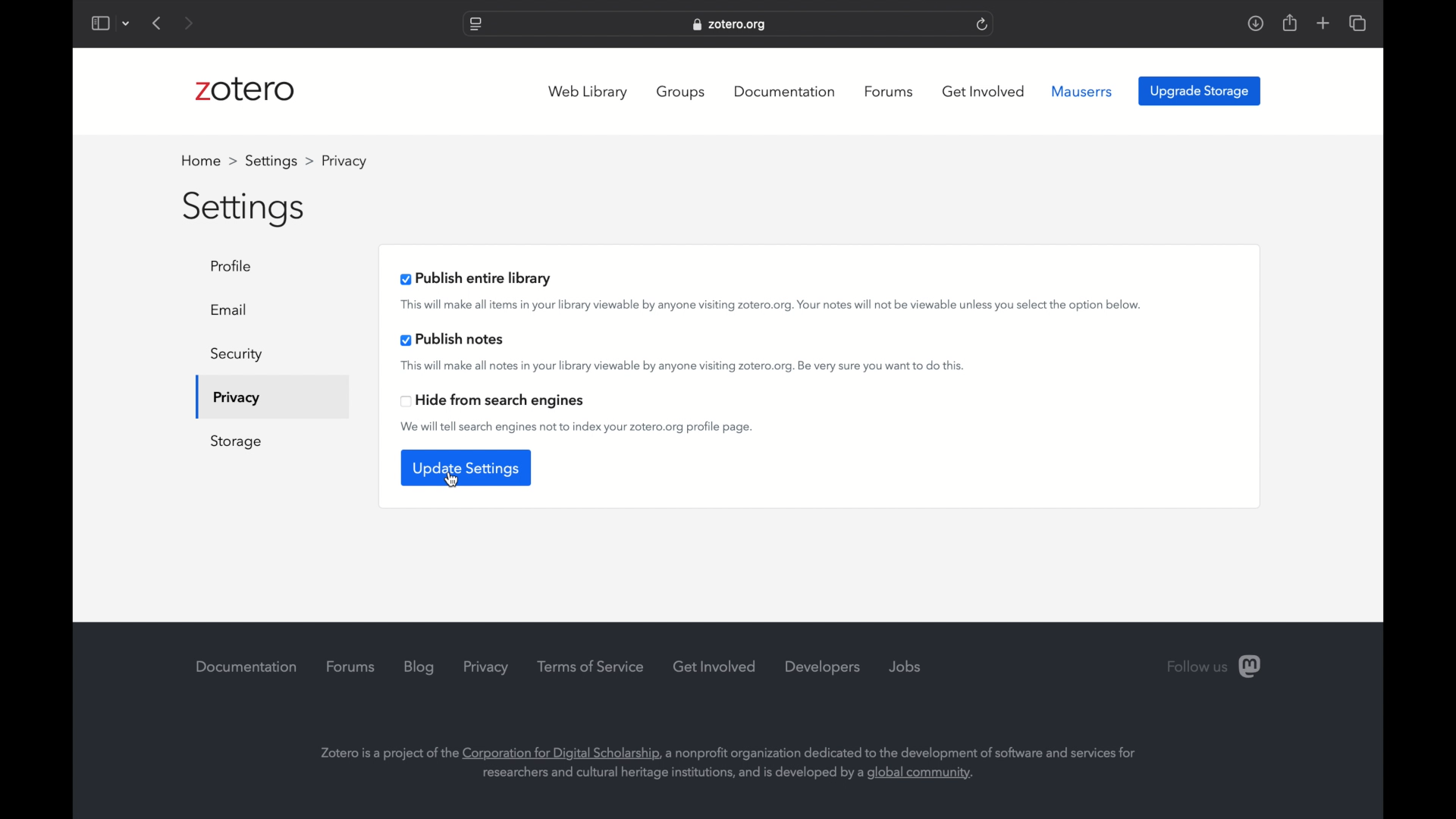 The image size is (1456, 819). Describe the element at coordinates (476, 278) in the screenshot. I see `publish entire library` at that location.